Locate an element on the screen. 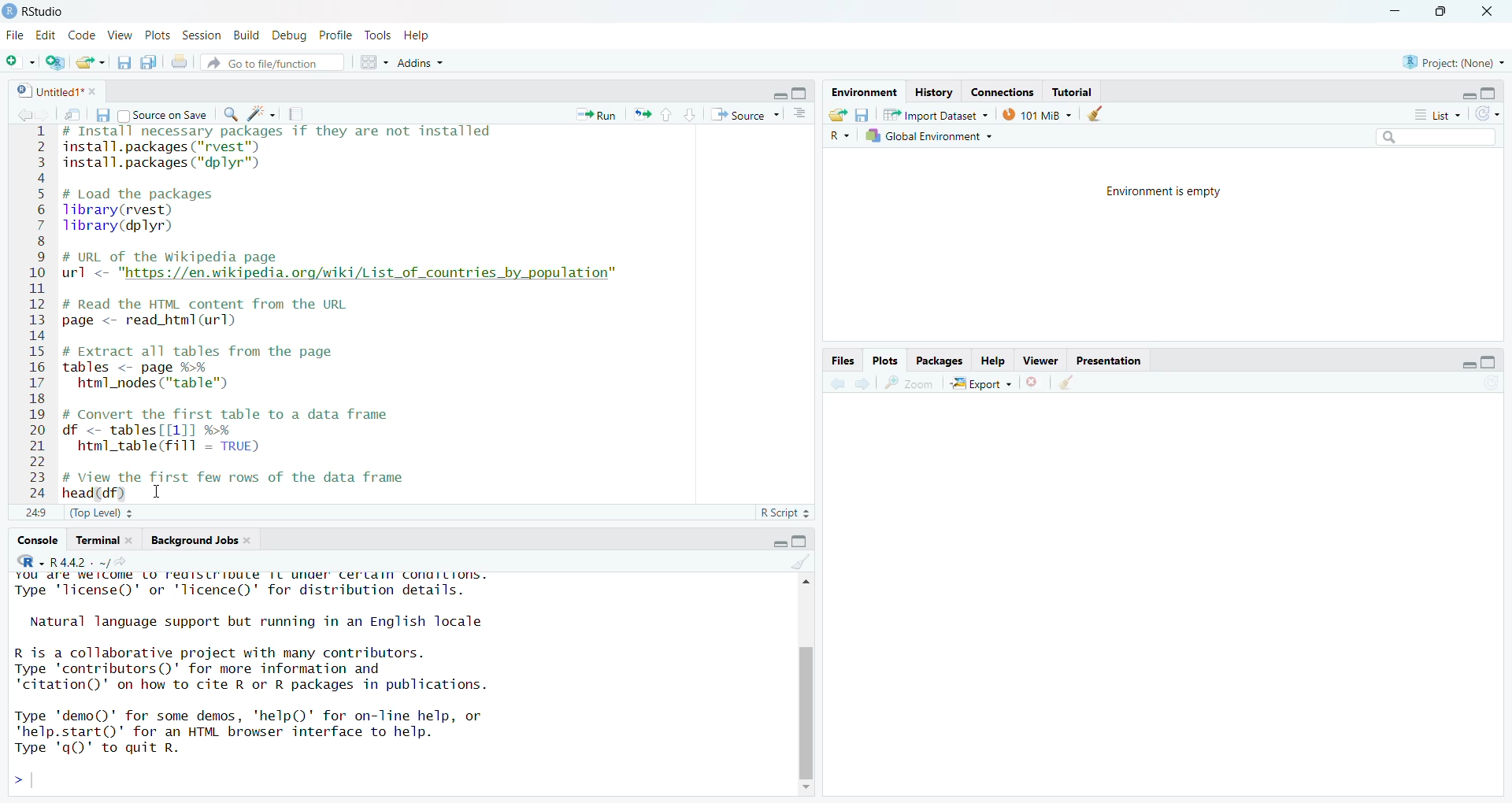 This screenshot has width=1512, height=803. R is located at coordinates (839, 136).